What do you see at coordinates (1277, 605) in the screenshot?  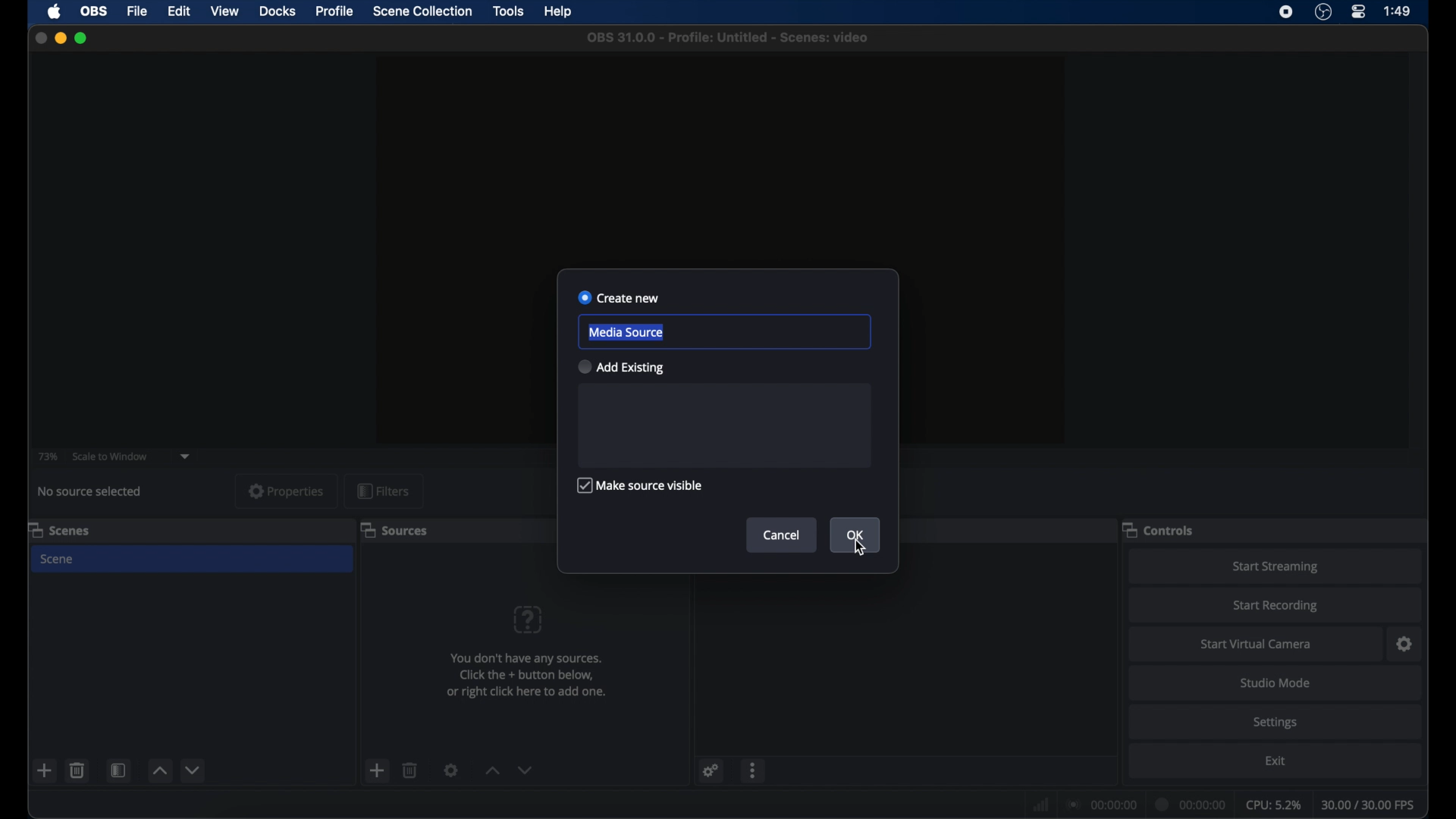 I see `start recording` at bounding box center [1277, 605].